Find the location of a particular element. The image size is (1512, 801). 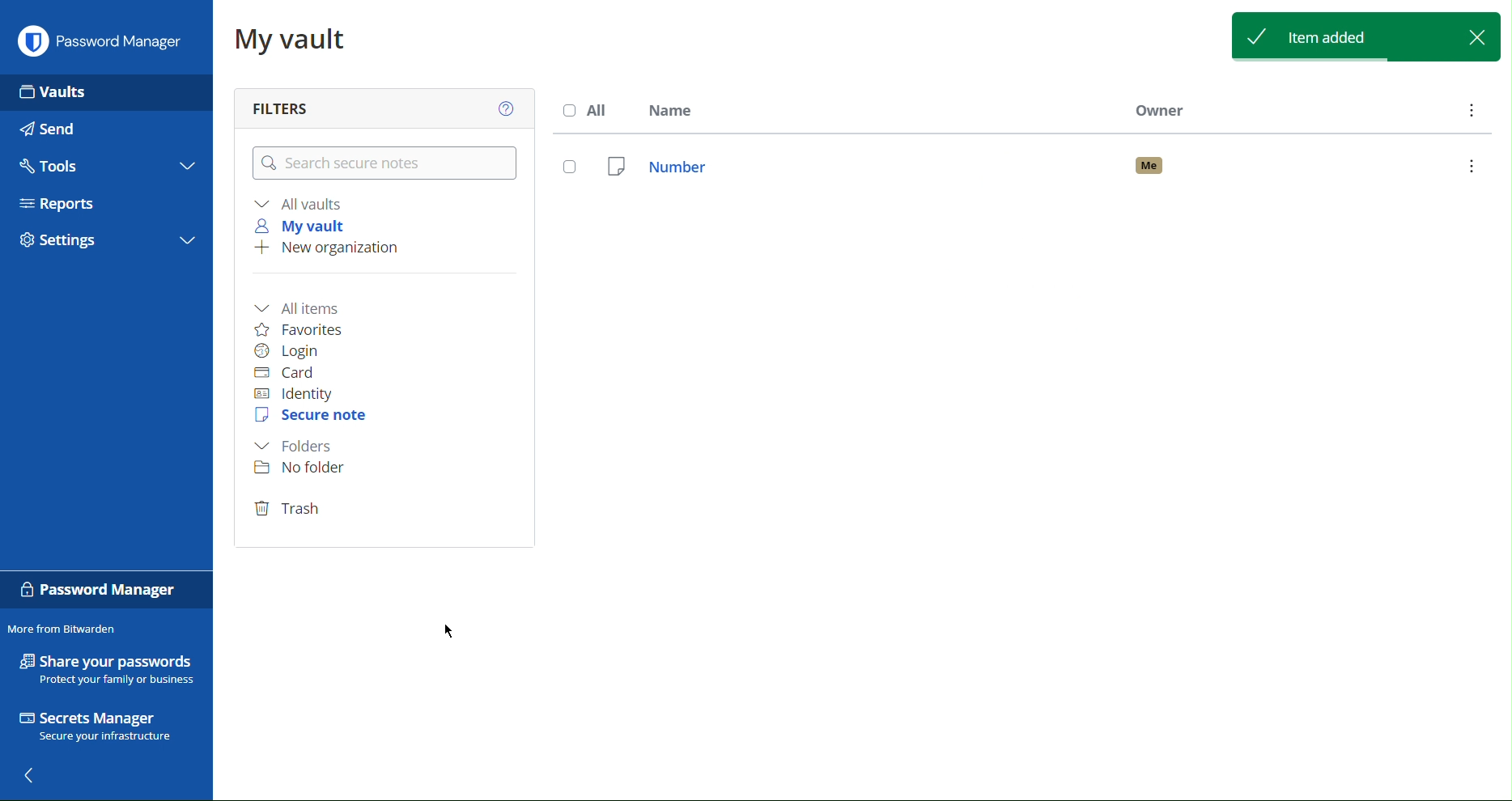

Identity is located at coordinates (308, 392).